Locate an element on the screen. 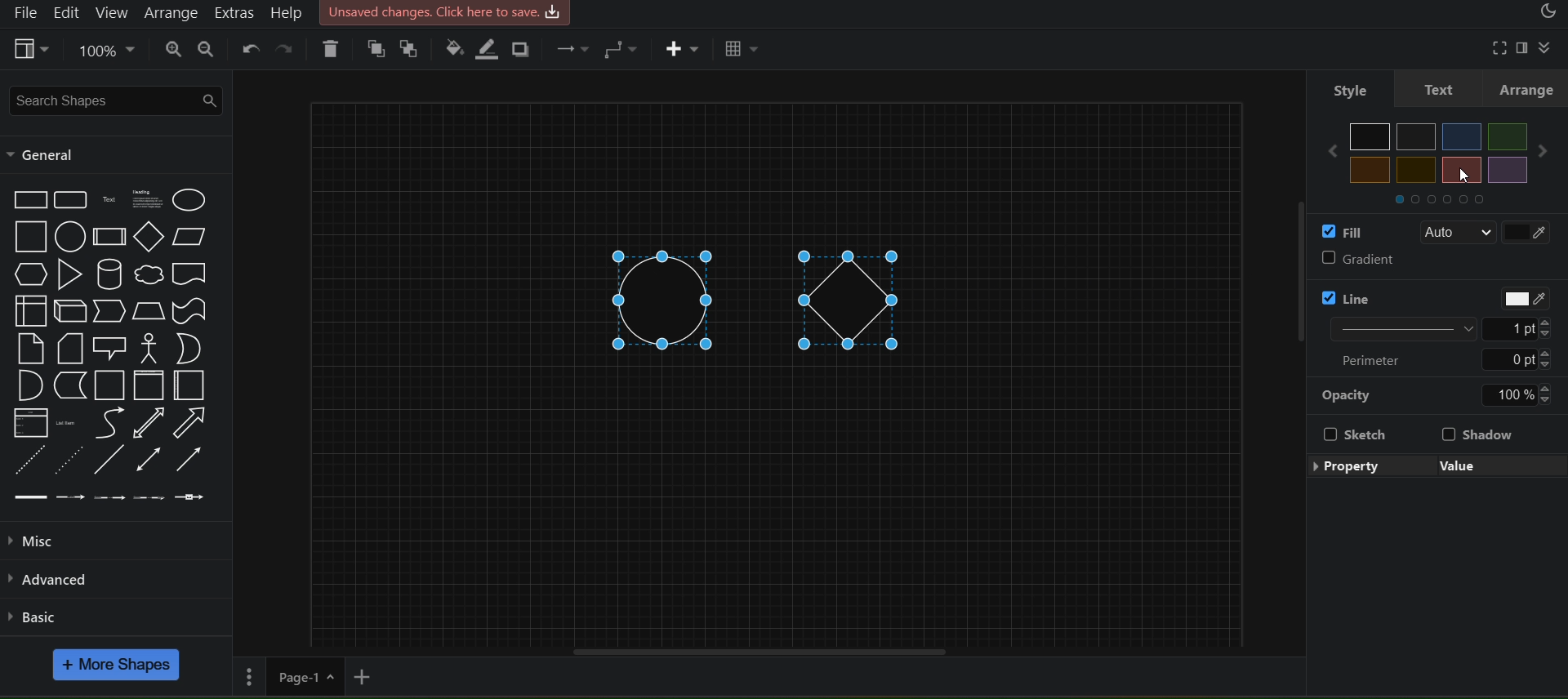  And is located at coordinates (29, 386).